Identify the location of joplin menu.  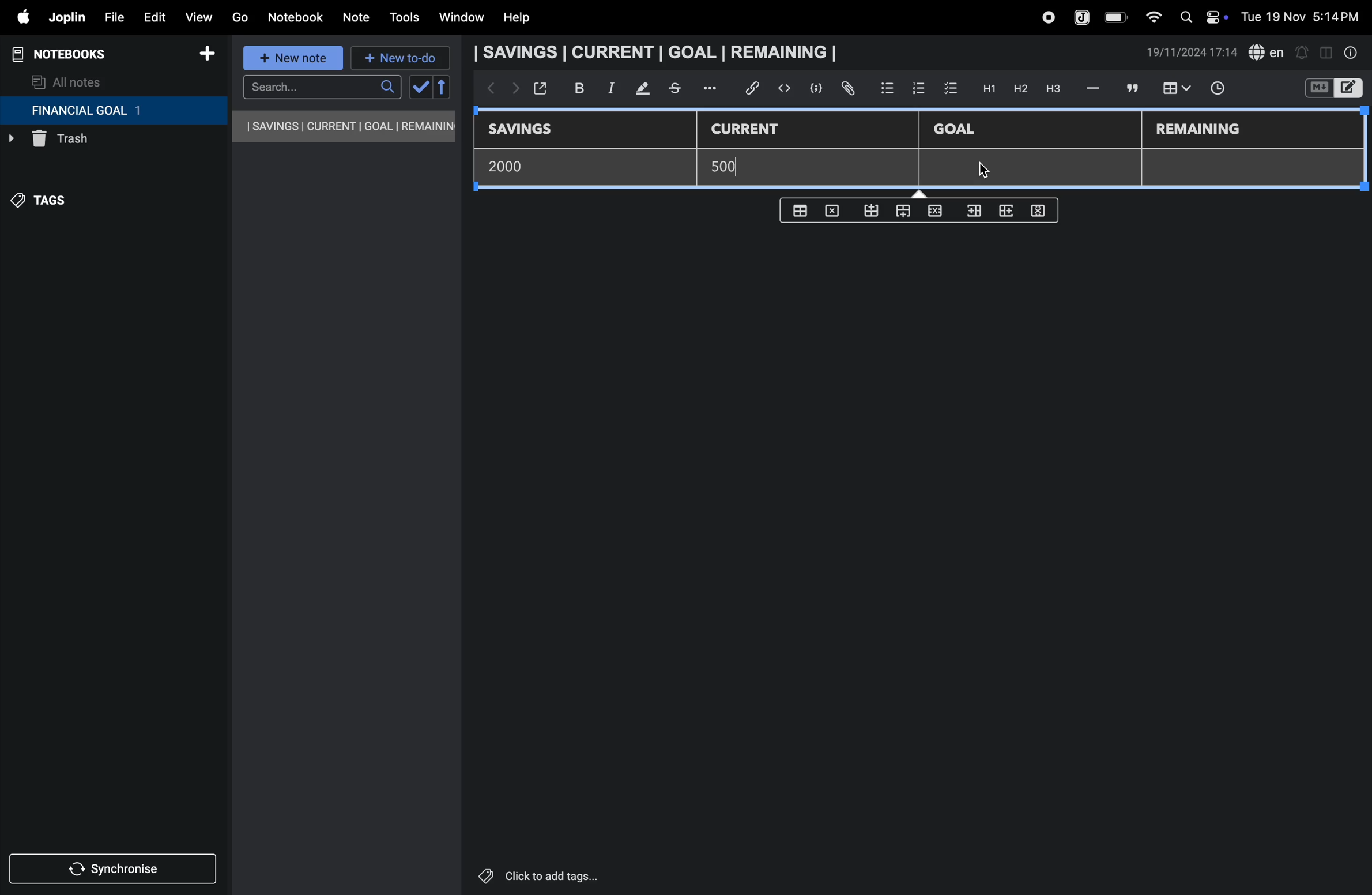
(65, 17).